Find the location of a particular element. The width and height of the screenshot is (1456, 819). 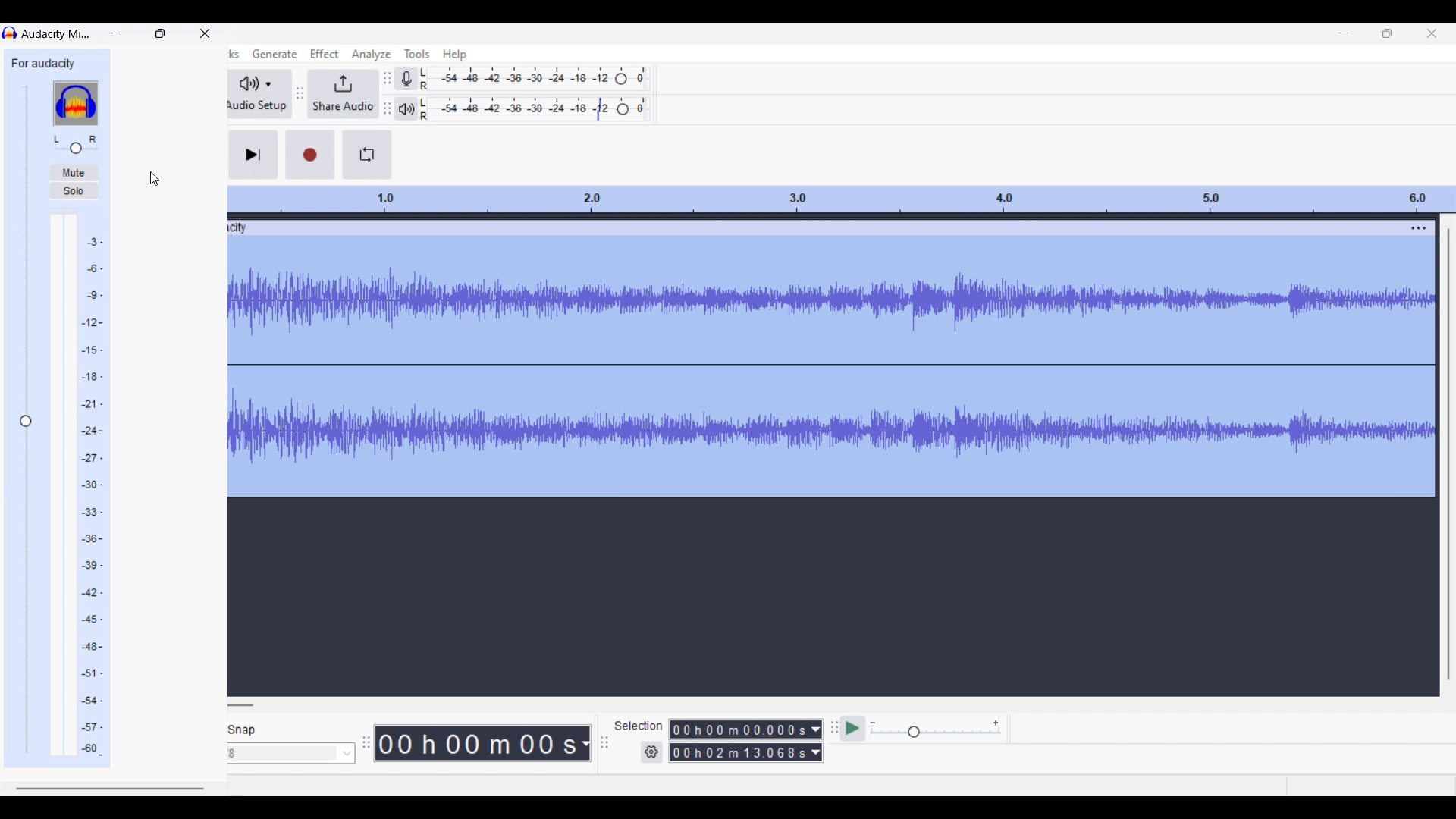

Current track is located at coordinates (818, 359).